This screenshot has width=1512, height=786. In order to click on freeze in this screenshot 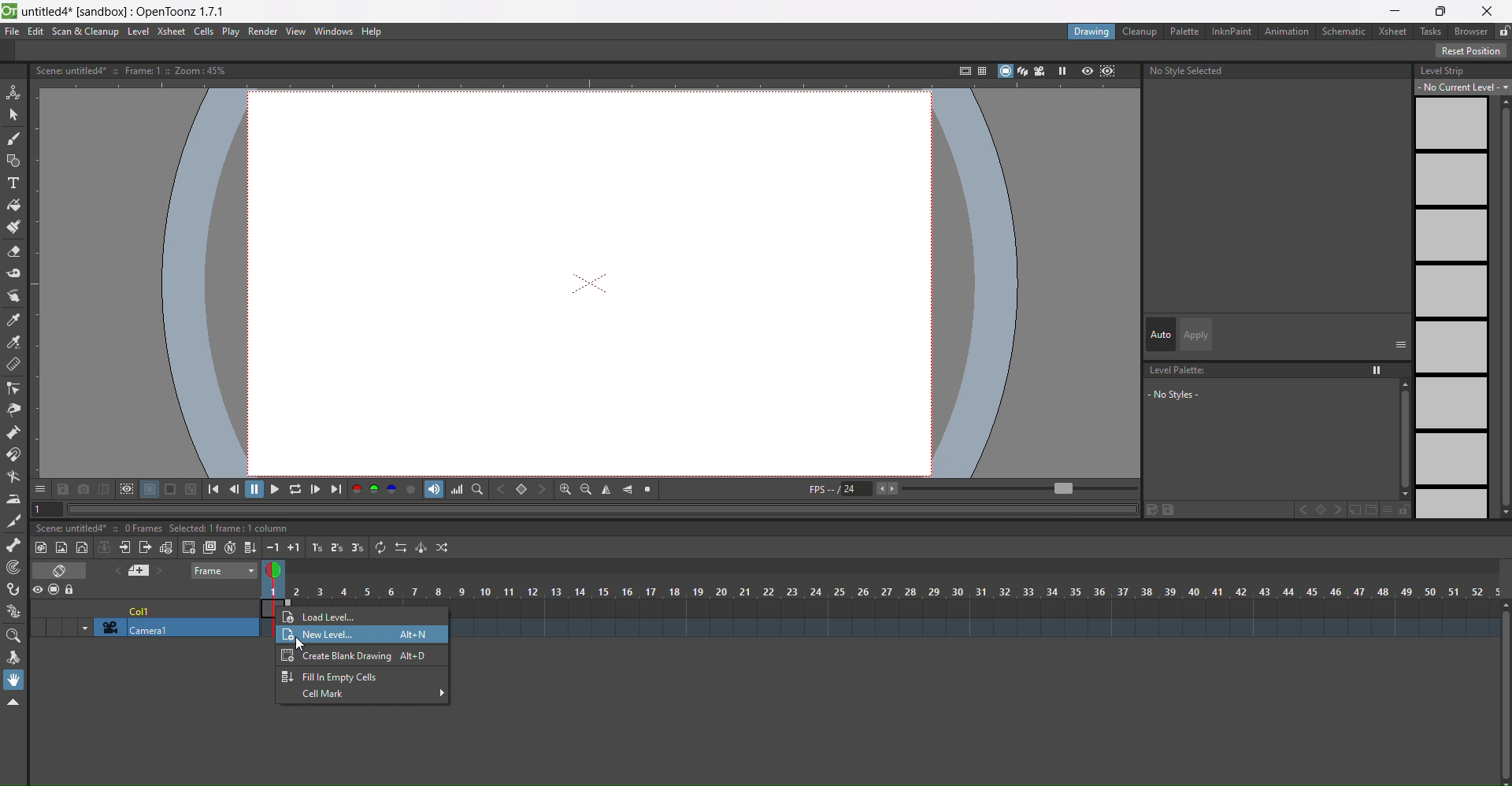, I will do `click(1061, 71)`.